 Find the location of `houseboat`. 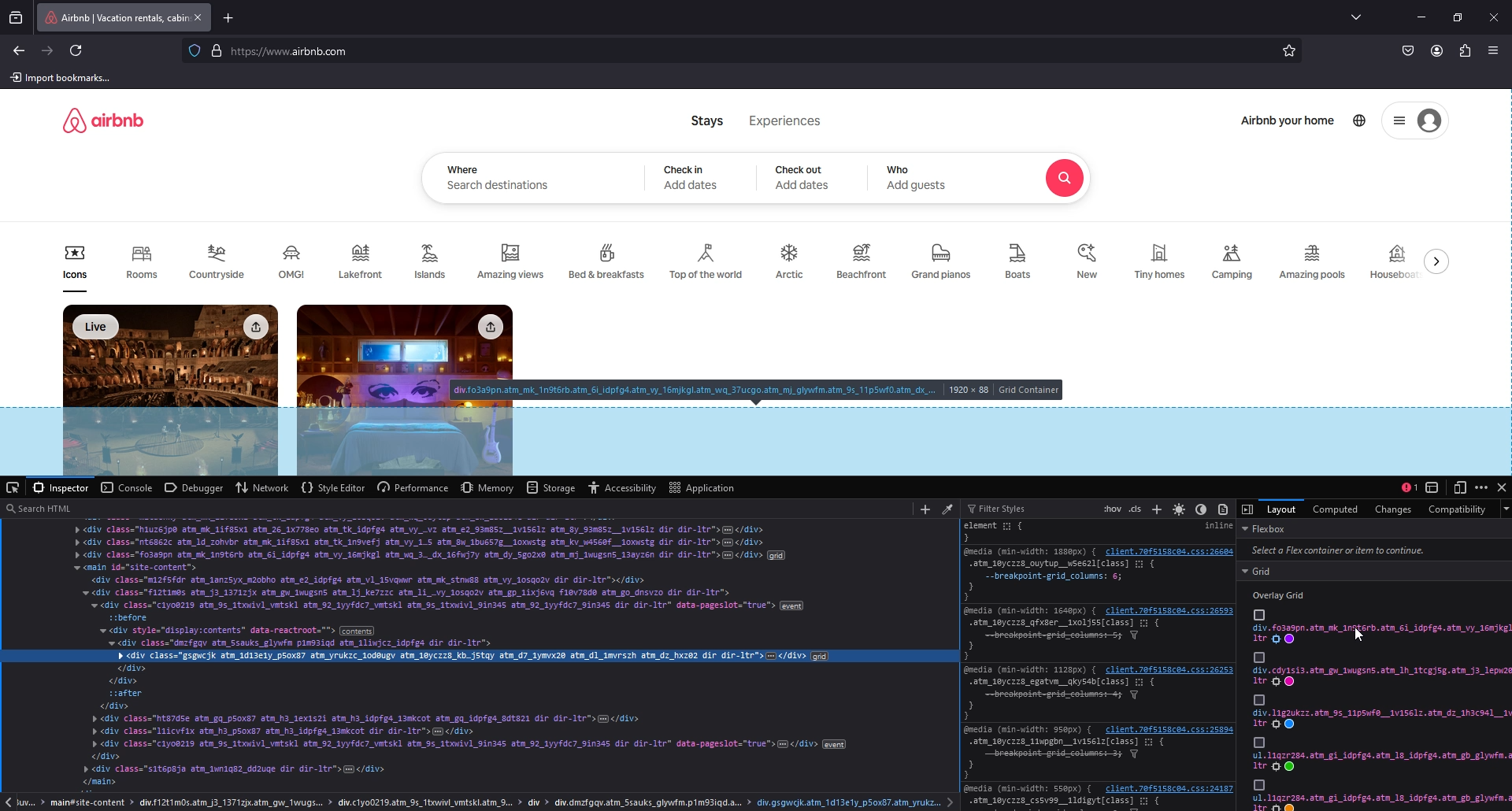

houseboat is located at coordinates (1395, 261).